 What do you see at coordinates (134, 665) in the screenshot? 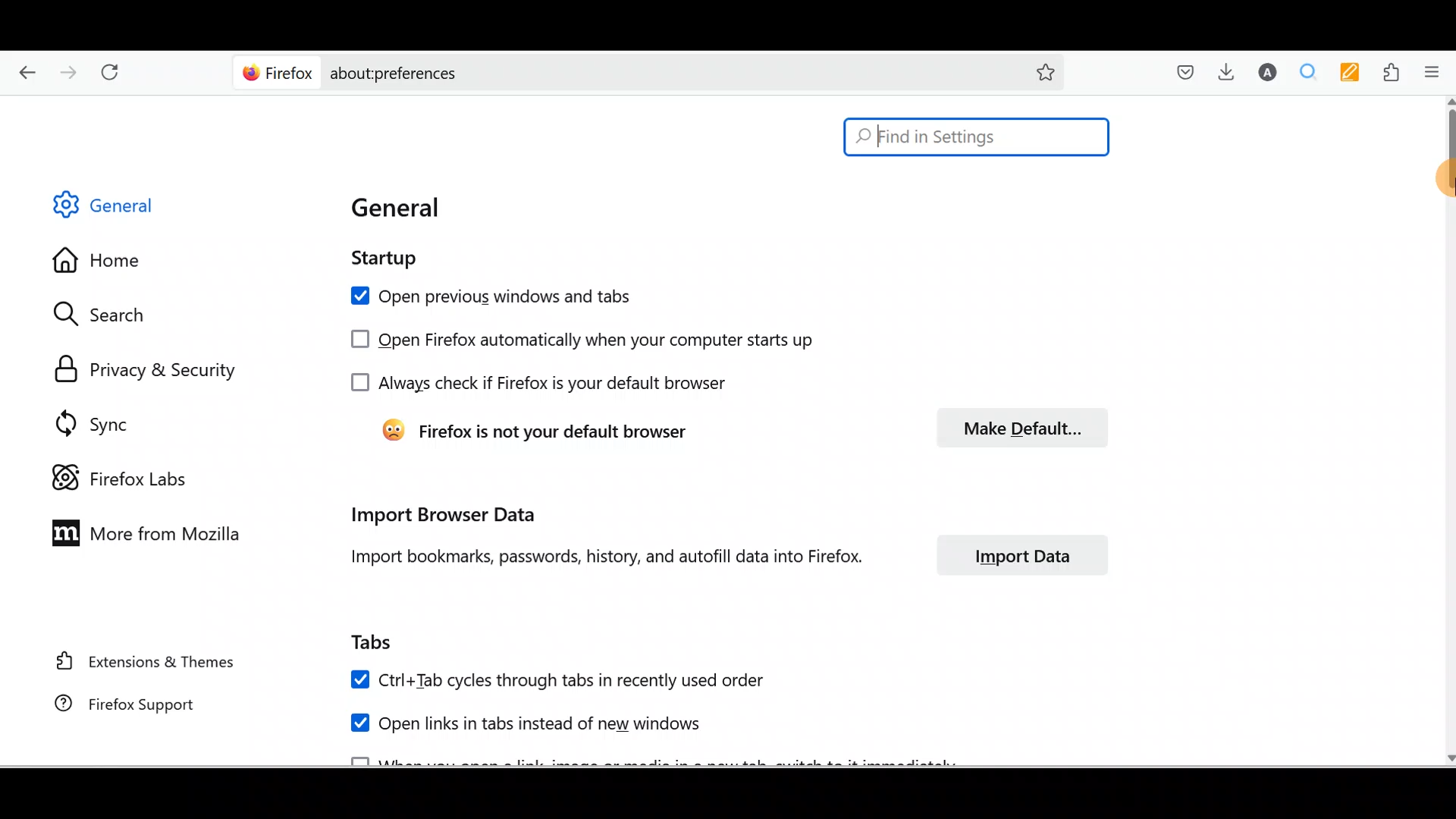
I see `Extension & themes` at bounding box center [134, 665].